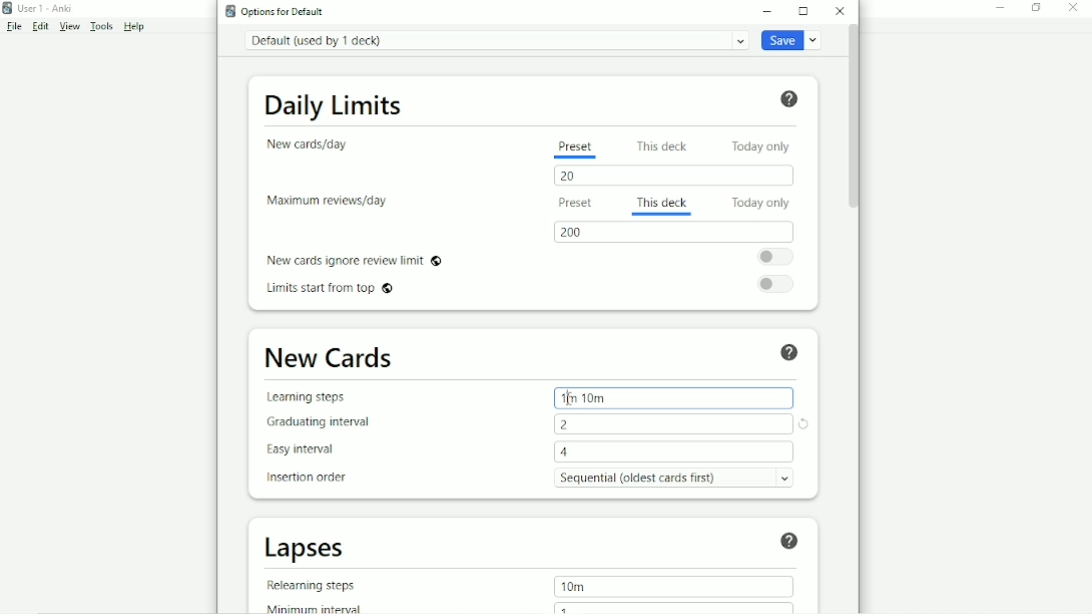  I want to click on This deck, so click(661, 146).